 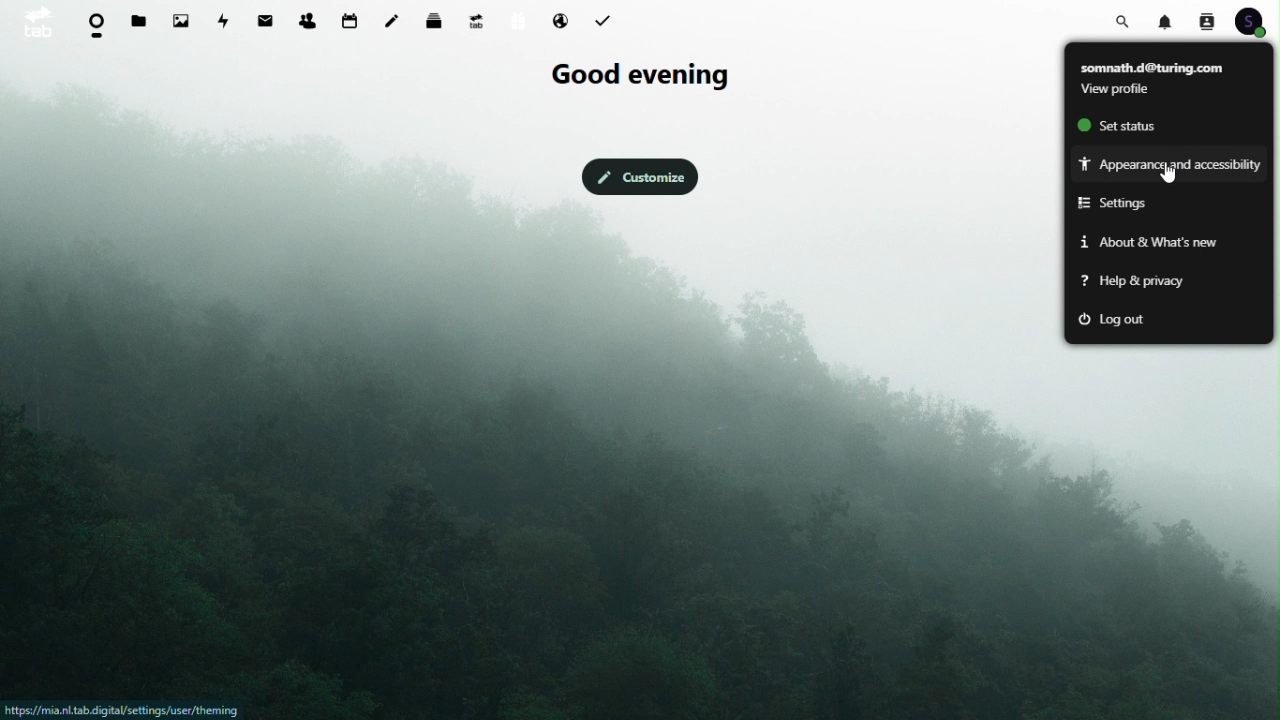 What do you see at coordinates (1129, 320) in the screenshot?
I see `Logout` at bounding box center [1129, 320].